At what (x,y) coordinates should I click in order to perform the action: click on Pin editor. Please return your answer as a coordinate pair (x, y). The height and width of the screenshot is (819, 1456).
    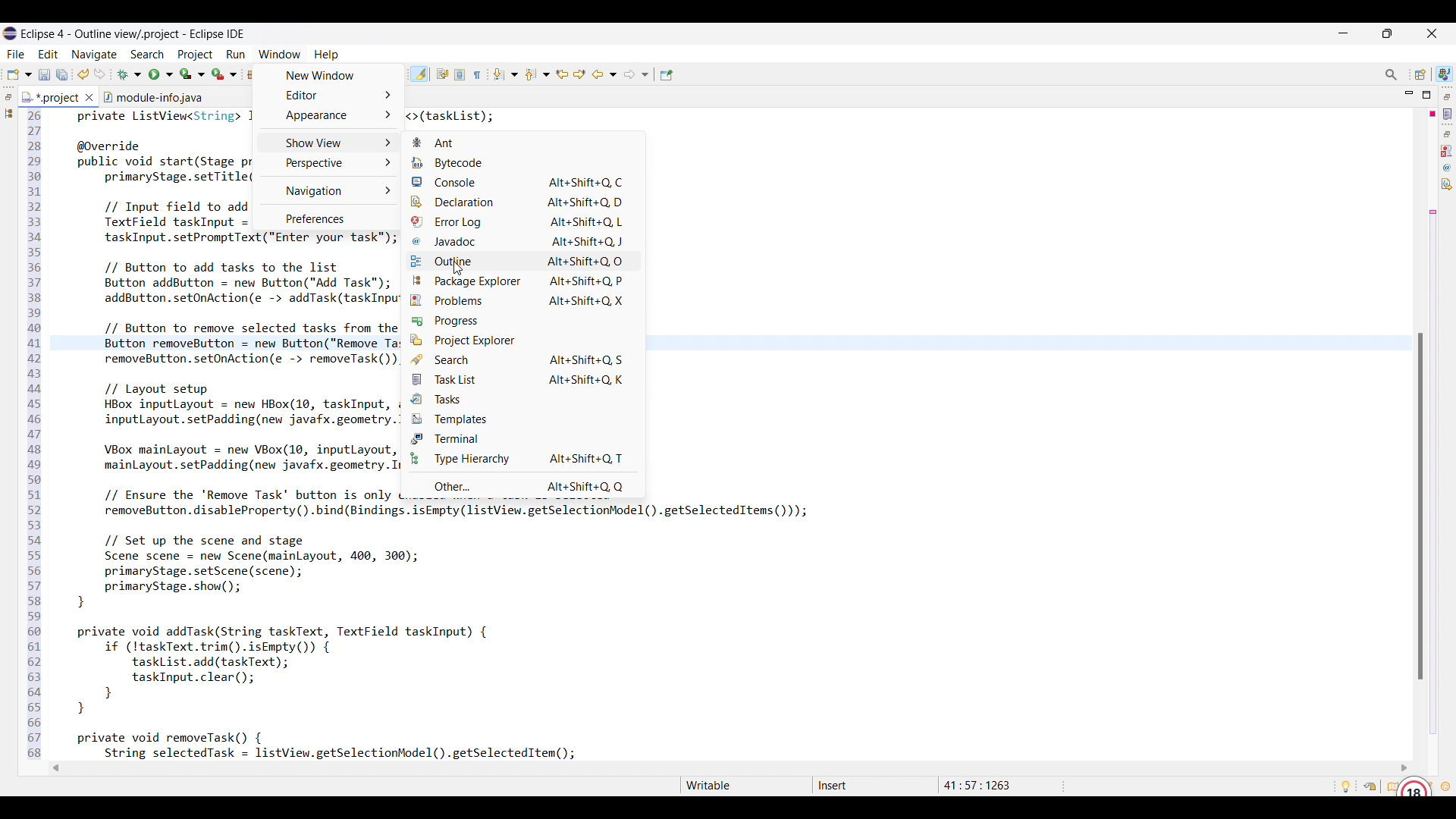
    Looking at the image, I should click on (667, 75).